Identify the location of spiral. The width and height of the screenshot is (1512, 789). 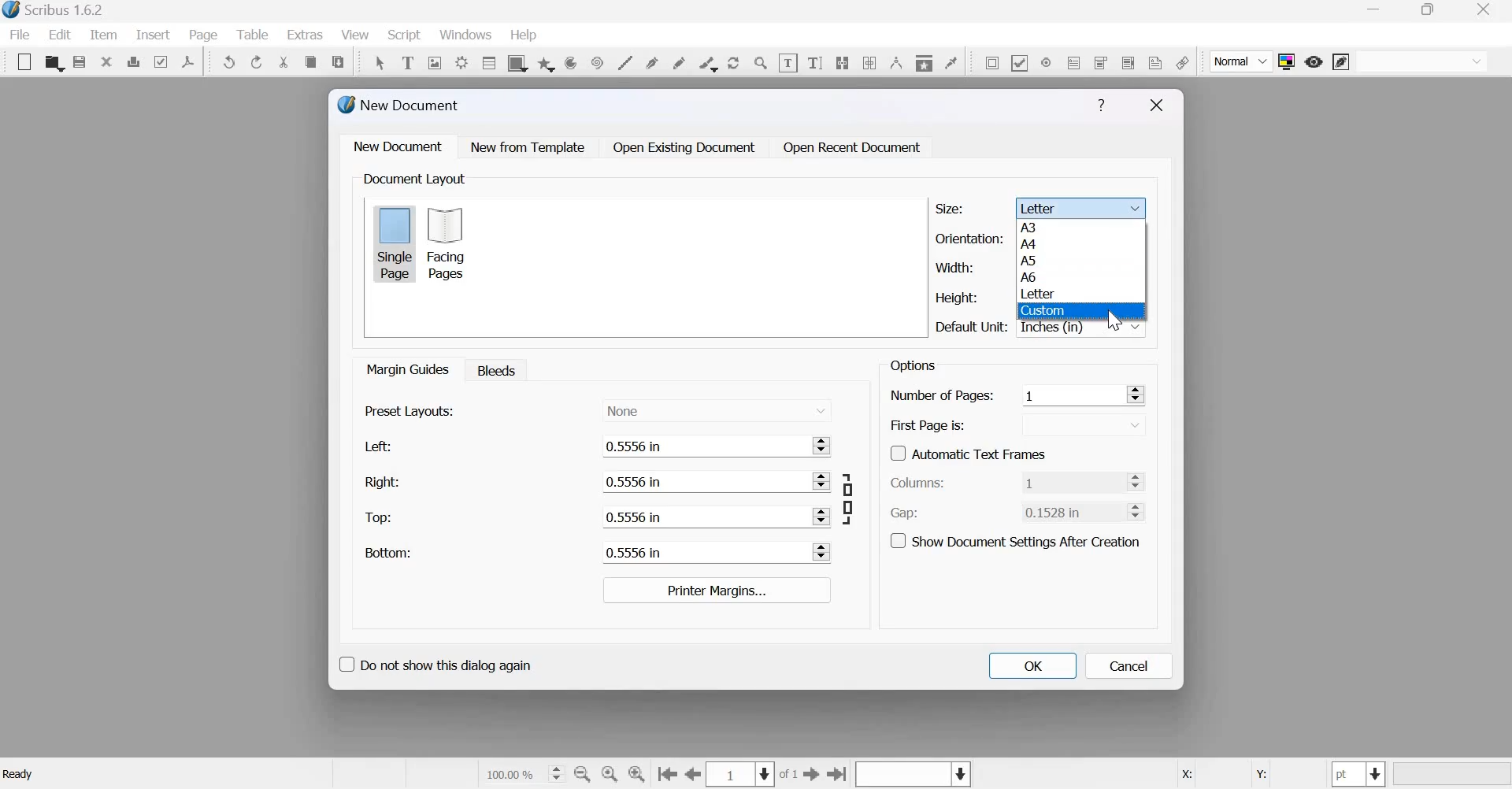
(595, 61).